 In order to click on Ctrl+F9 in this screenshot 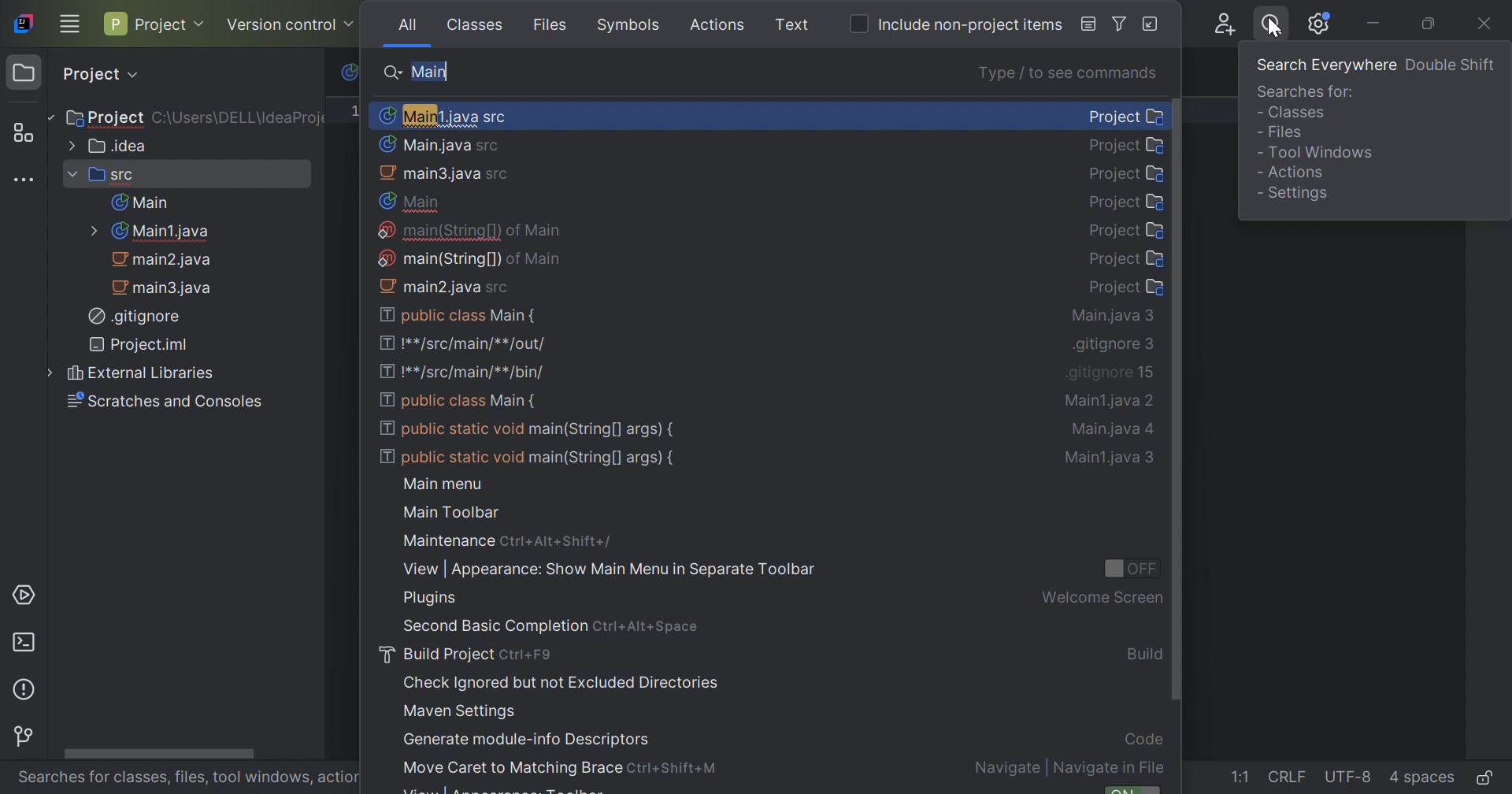, I will do `click(528, 655)`.